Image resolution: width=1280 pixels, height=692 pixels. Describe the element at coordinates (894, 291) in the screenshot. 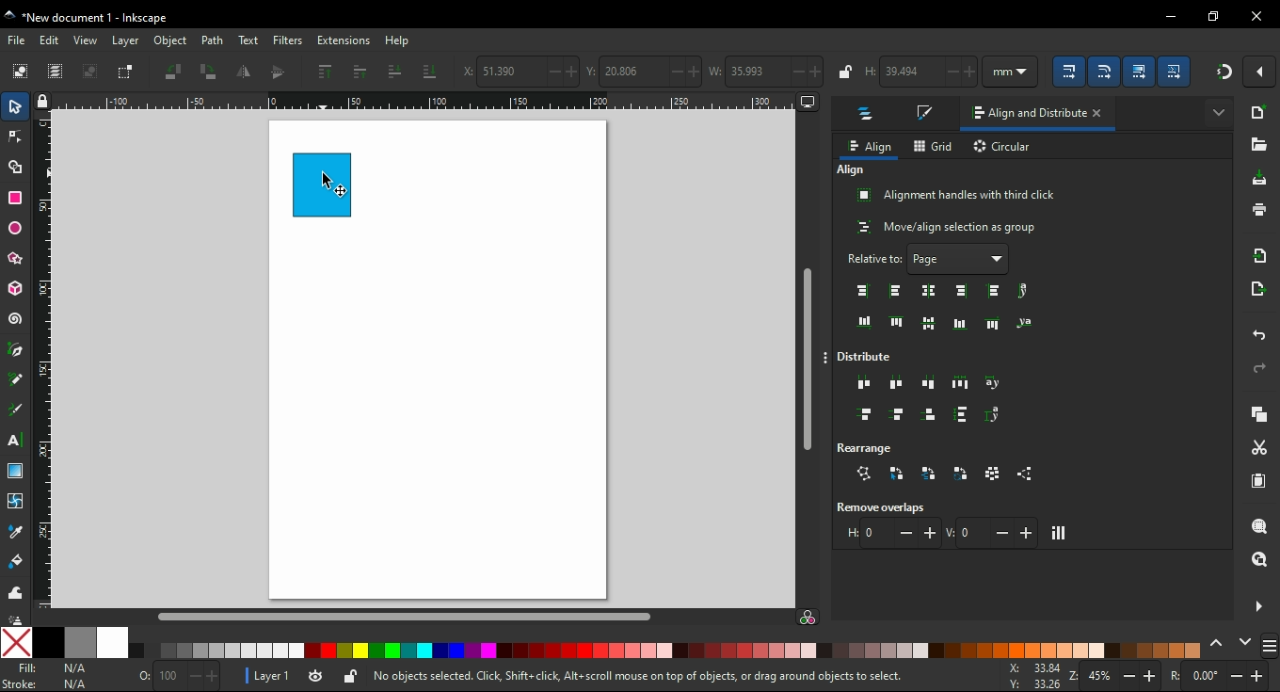

I see `align left edges` at that location.